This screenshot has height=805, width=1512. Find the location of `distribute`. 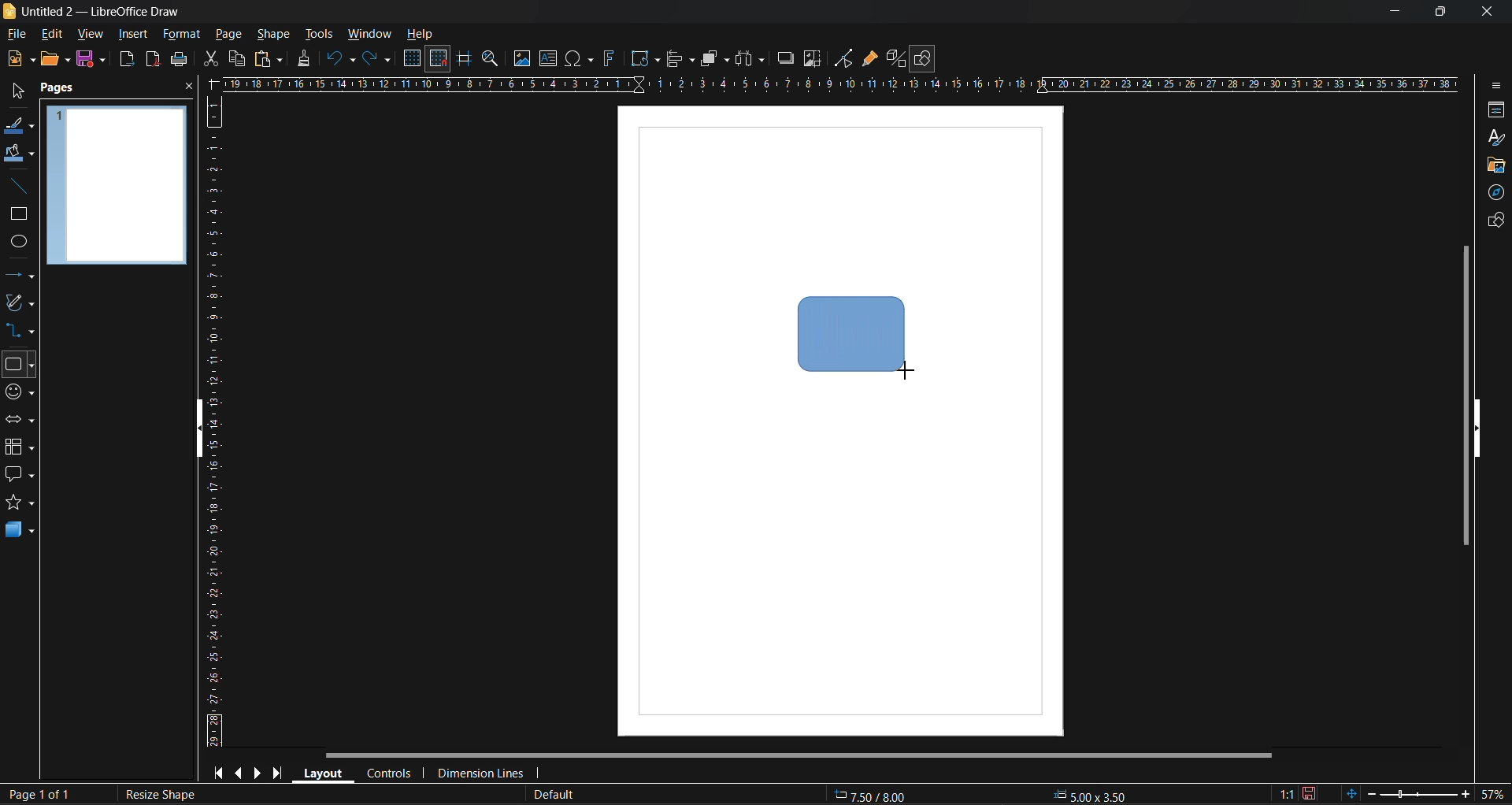

distribute is located at coordinates (752, 59).